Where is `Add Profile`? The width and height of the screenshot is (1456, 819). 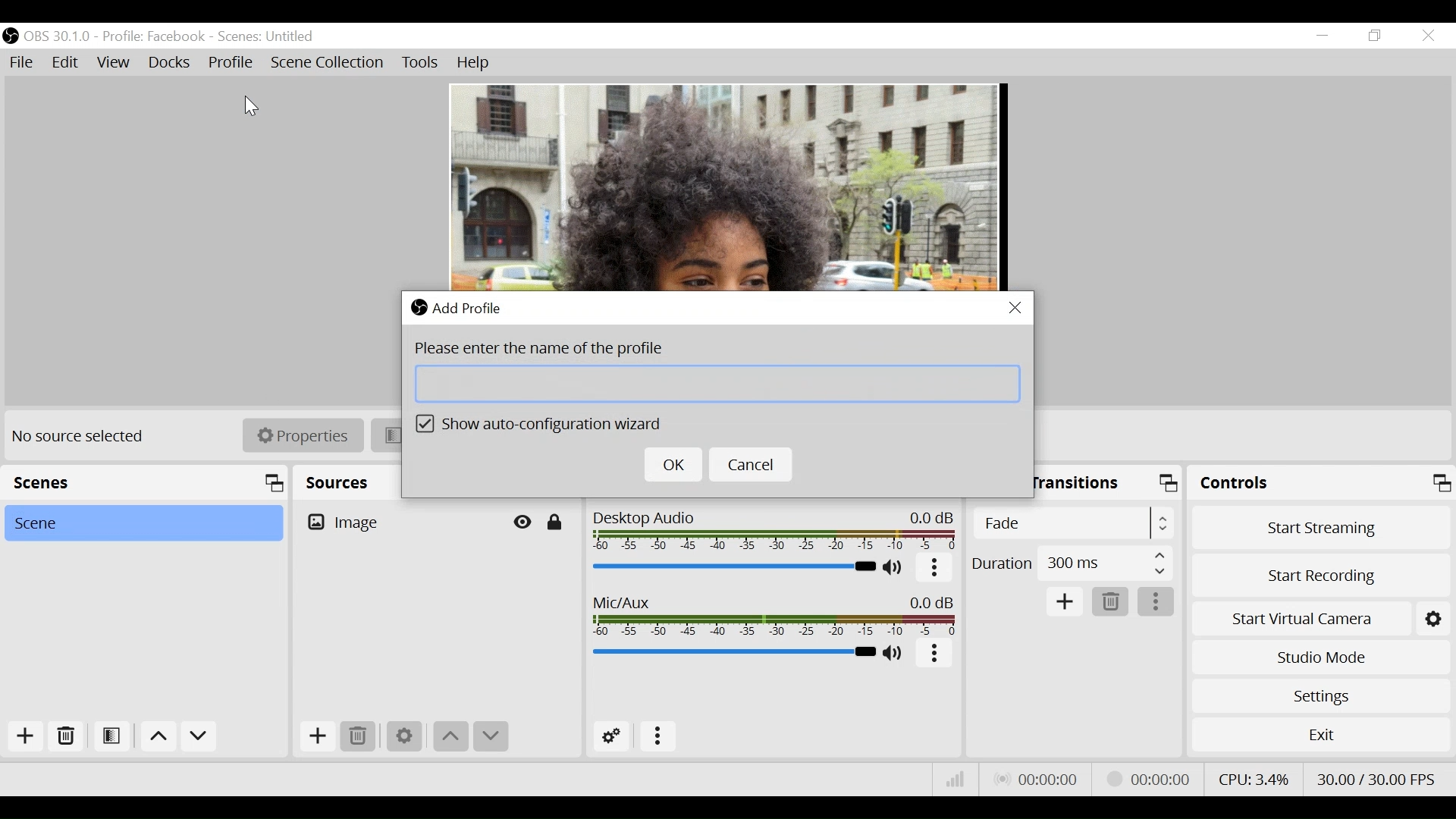 Add Profile is located at coordinates (466, 309).